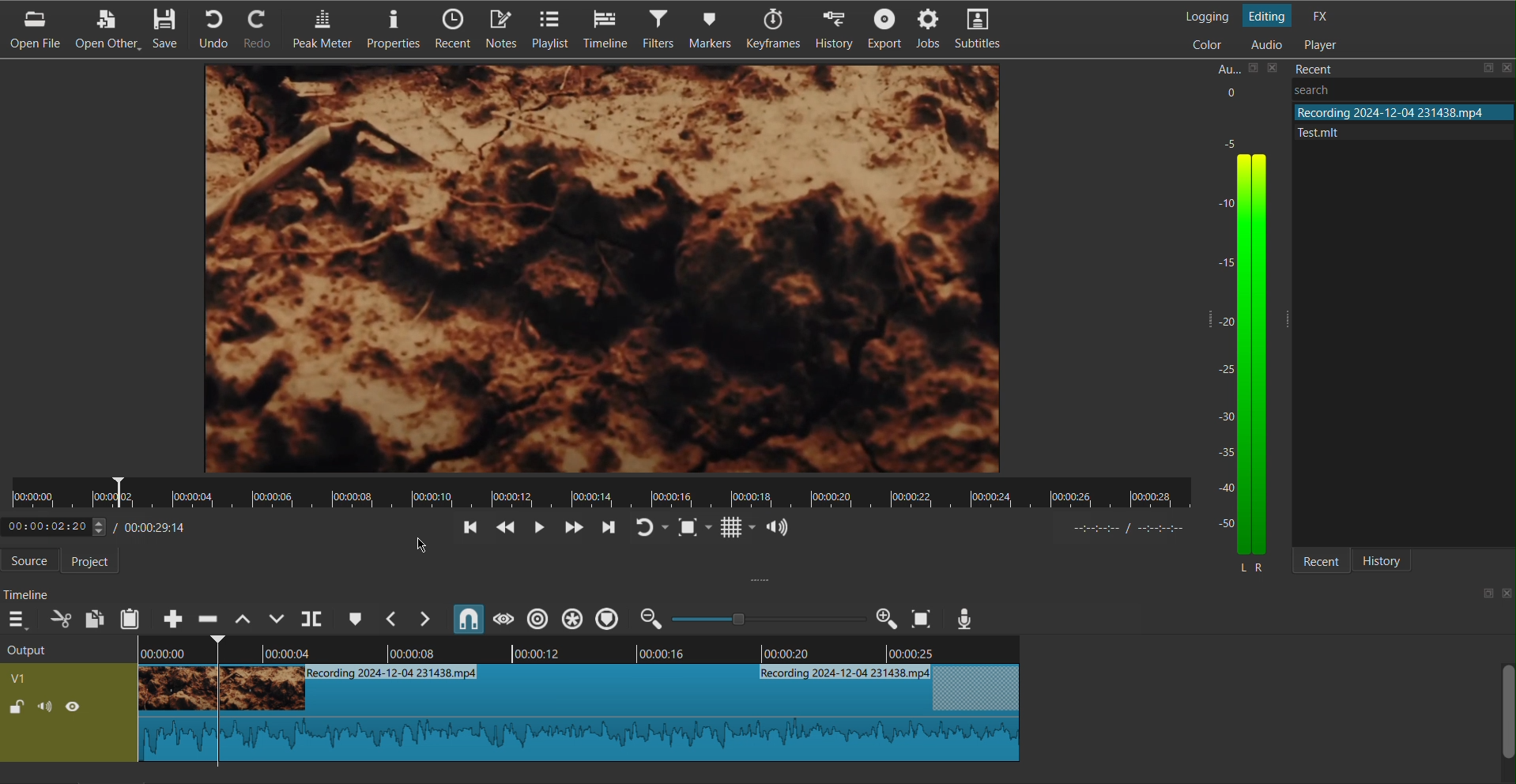 The height and width of the screenshot is (784, 1516). I want to click on Clip, so click(627, 715).